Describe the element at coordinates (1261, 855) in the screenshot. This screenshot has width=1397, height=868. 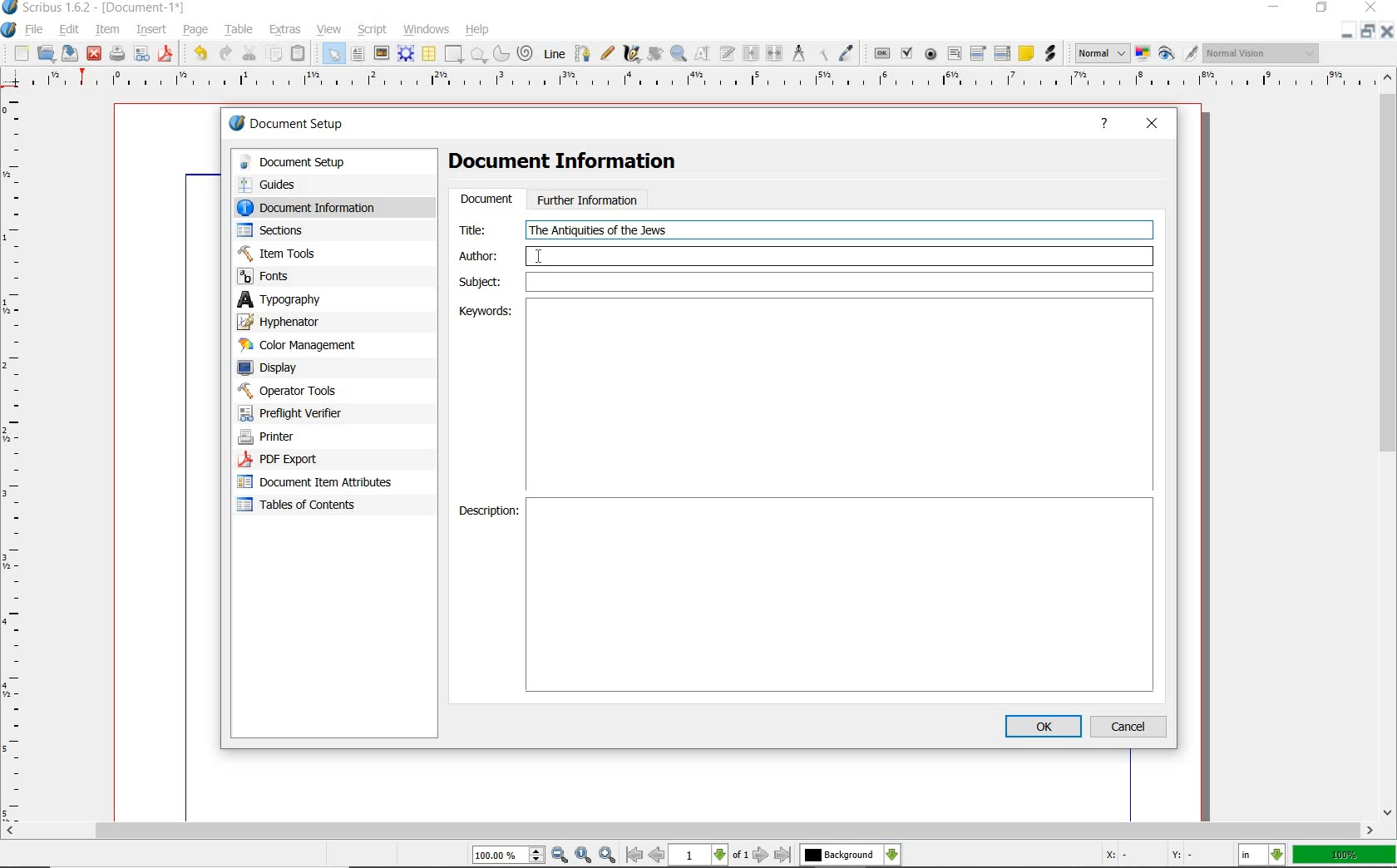
I see `select the current unit` at that location.